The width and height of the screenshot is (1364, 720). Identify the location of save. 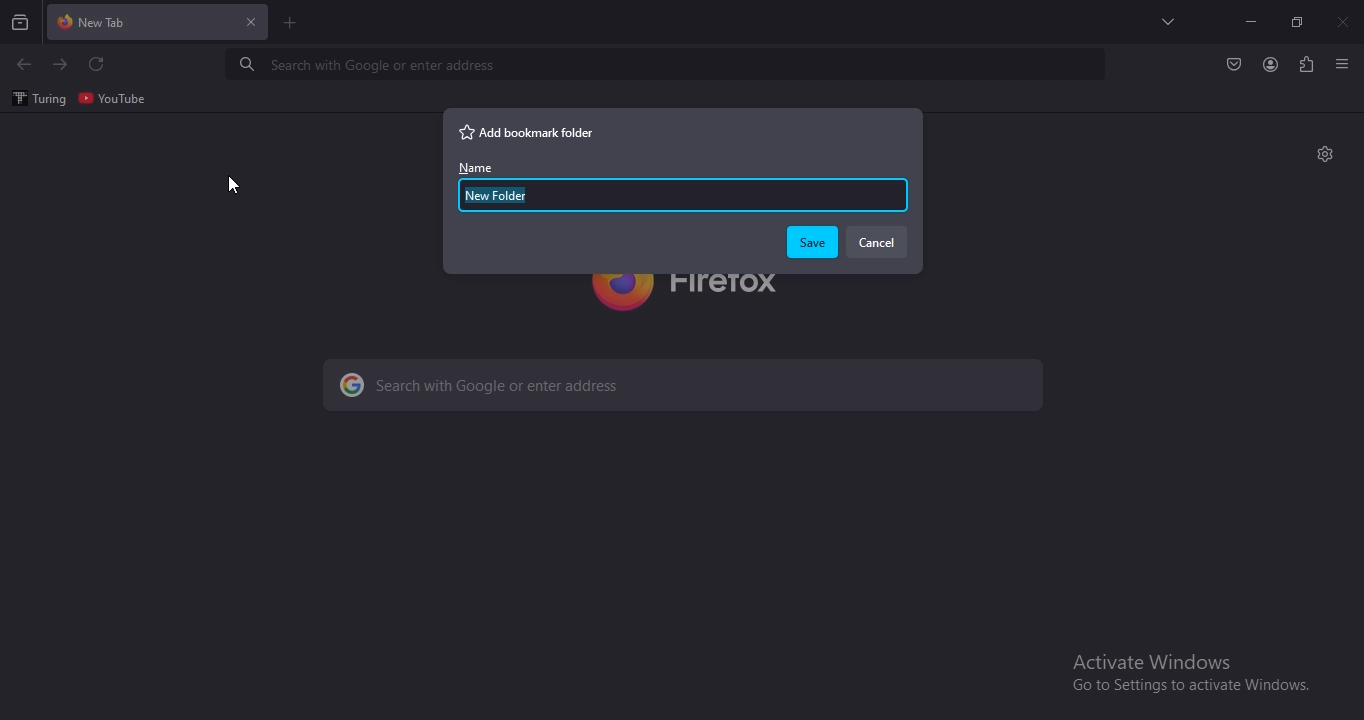
(812, 243).